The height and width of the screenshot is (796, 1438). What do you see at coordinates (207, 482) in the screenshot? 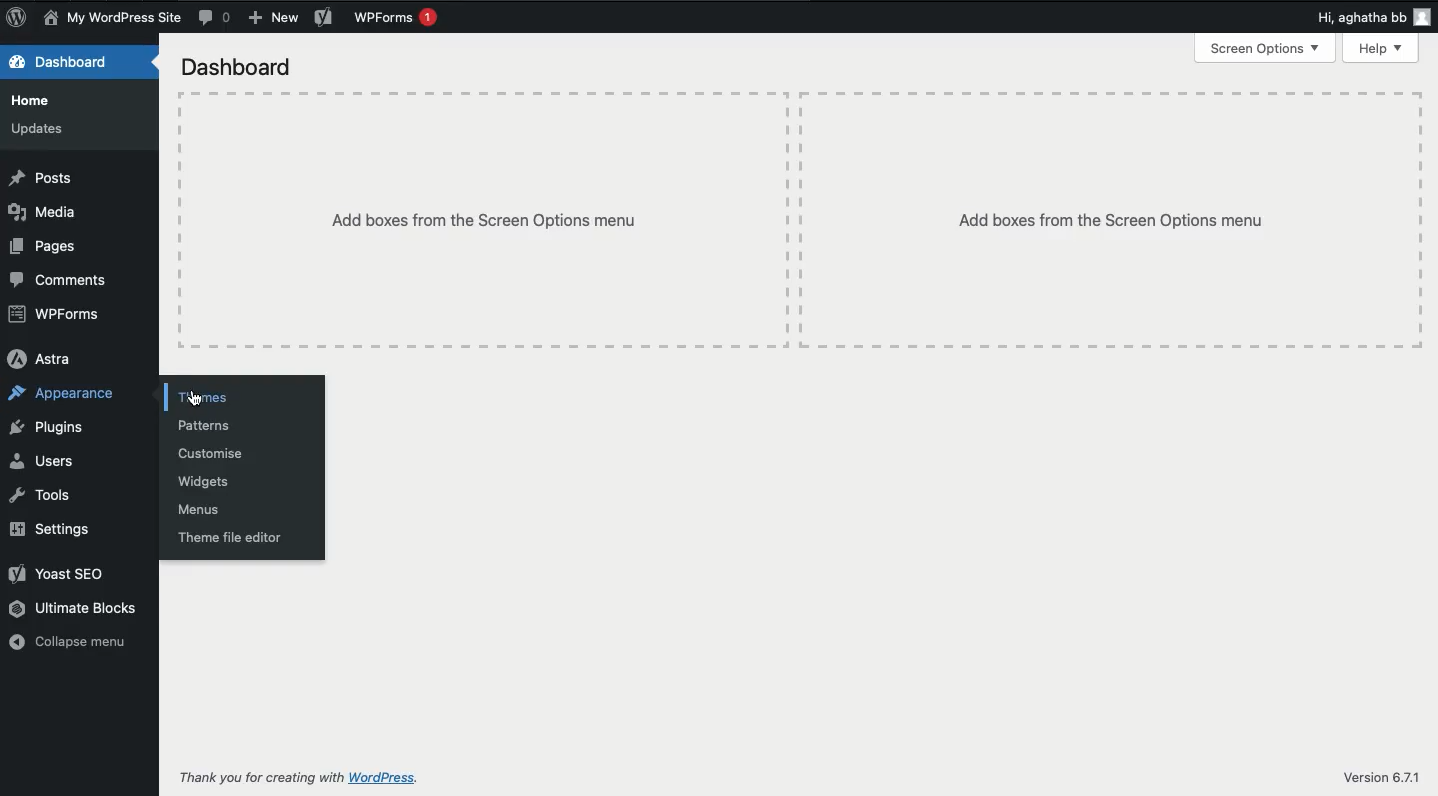
I see `Widgets` at bounding box center [207, 482].